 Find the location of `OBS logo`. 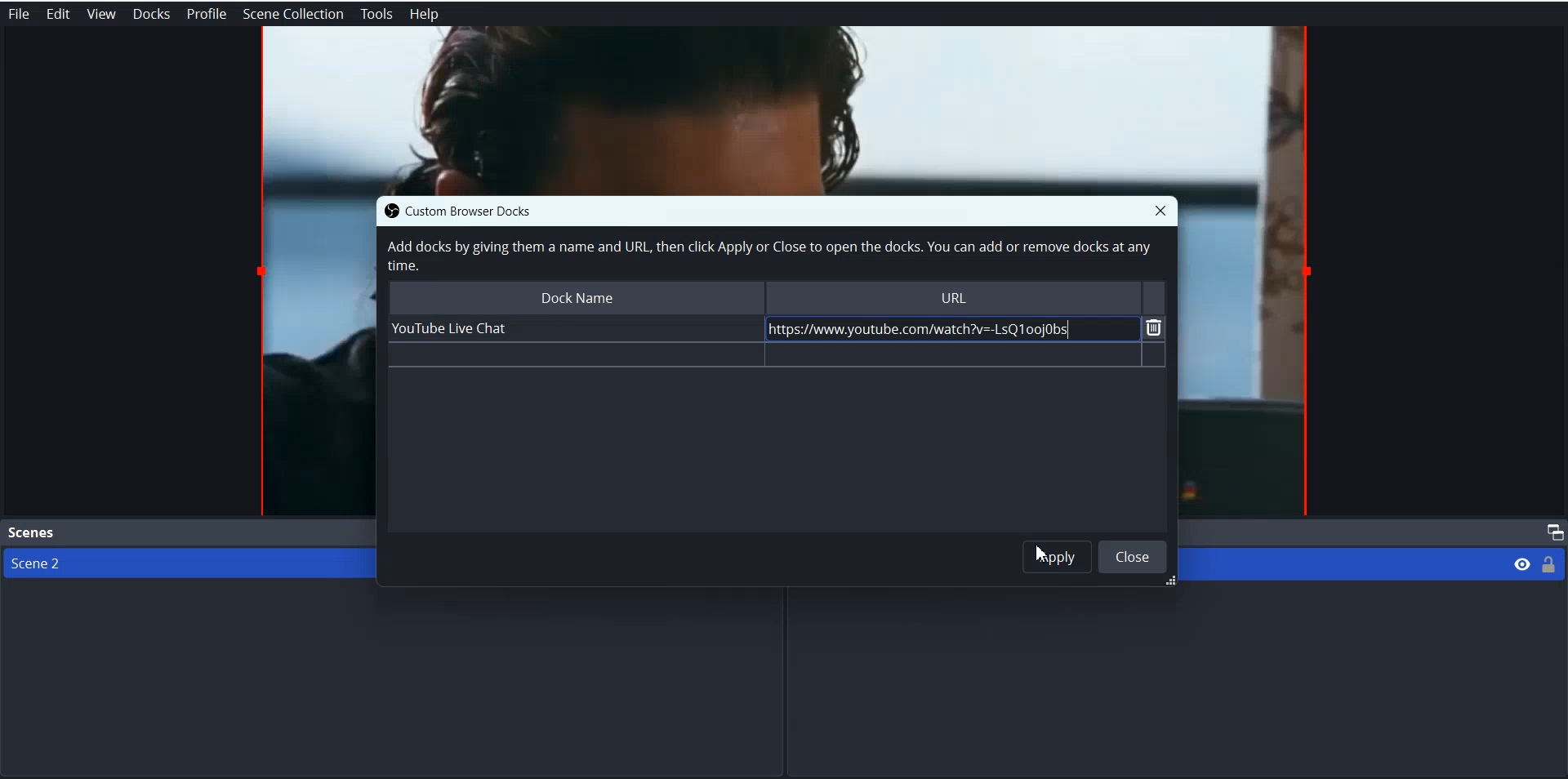

OBS logo is located at coordinates (387, 211).